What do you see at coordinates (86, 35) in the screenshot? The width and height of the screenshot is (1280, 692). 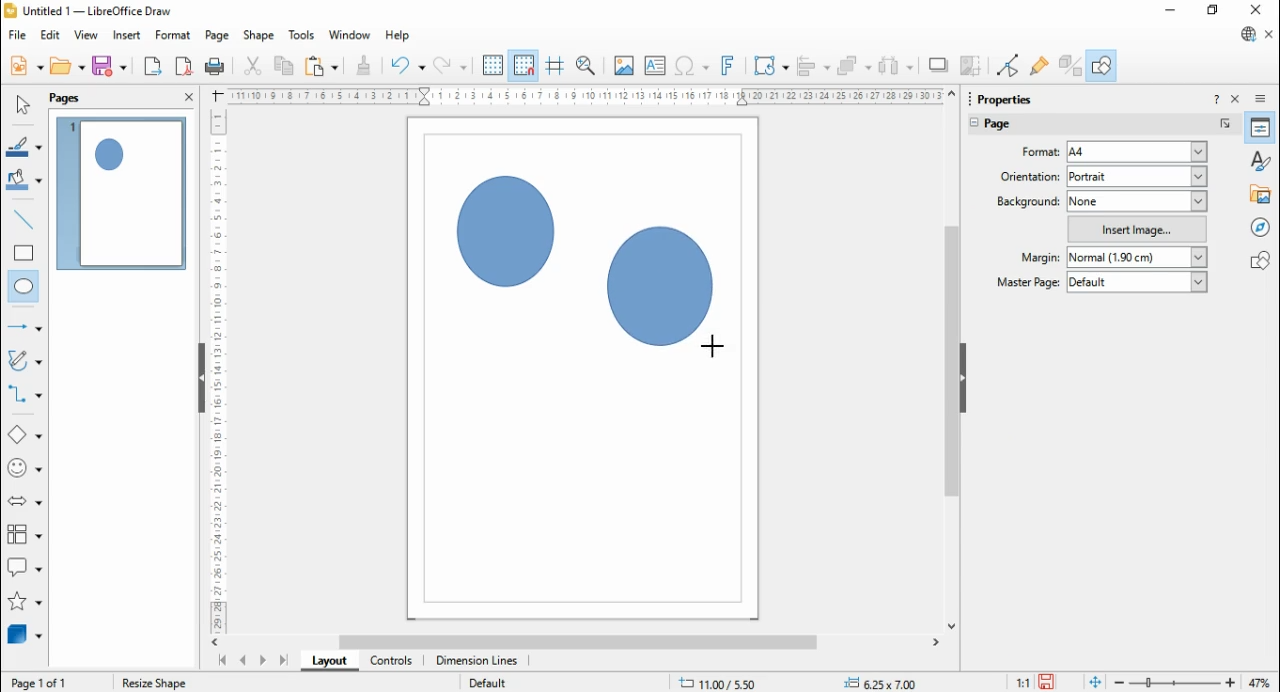 I see `view` at bounding box center [86, 35].